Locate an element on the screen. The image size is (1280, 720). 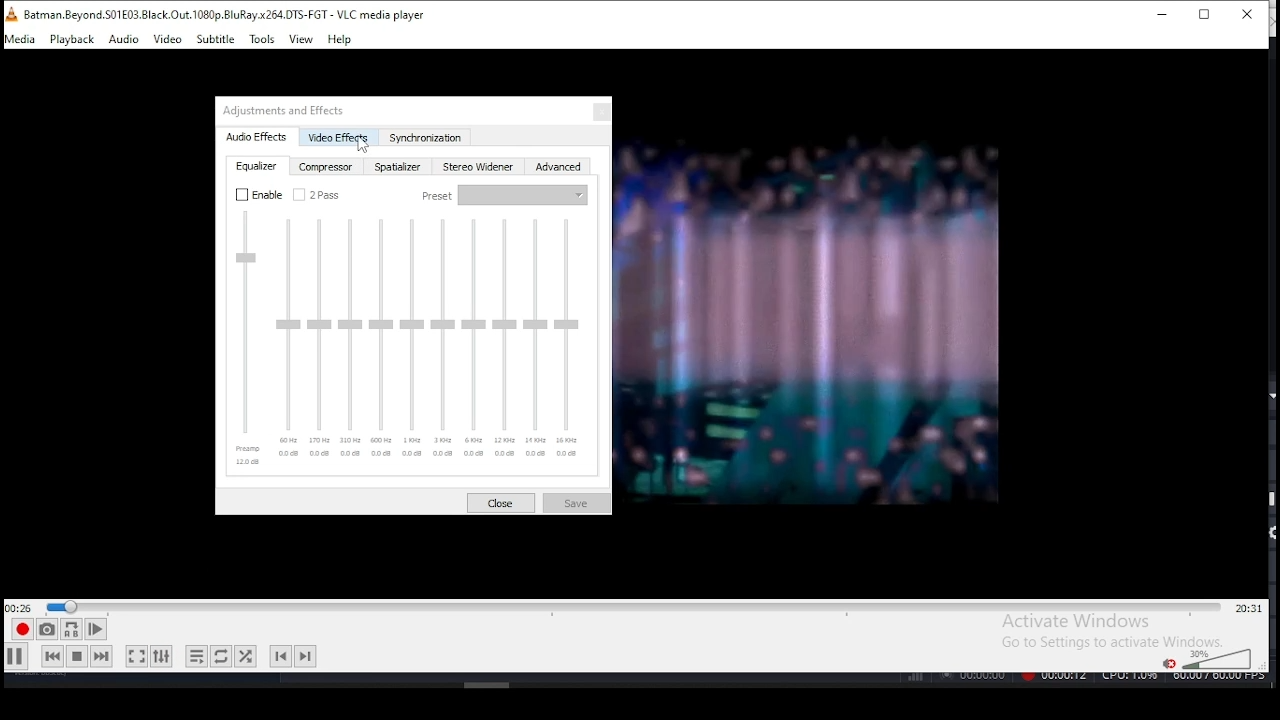
subtitle is located at coordinates (216, 40).